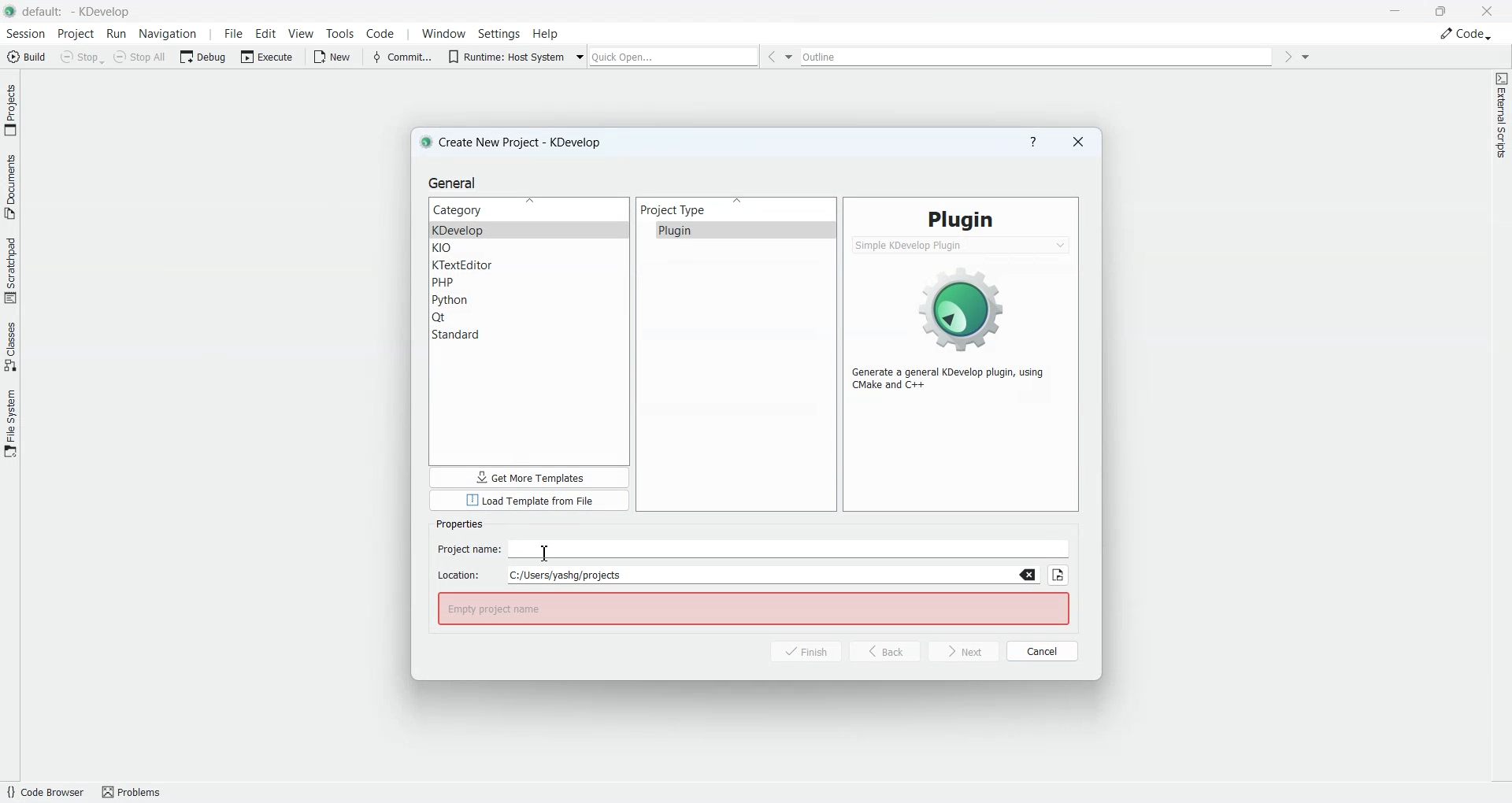 Image resolution: width=1512 pixels, height=803 pixels. Describe the element at coordinates (546, 33) in the screenshot. I see `Help` at that location.